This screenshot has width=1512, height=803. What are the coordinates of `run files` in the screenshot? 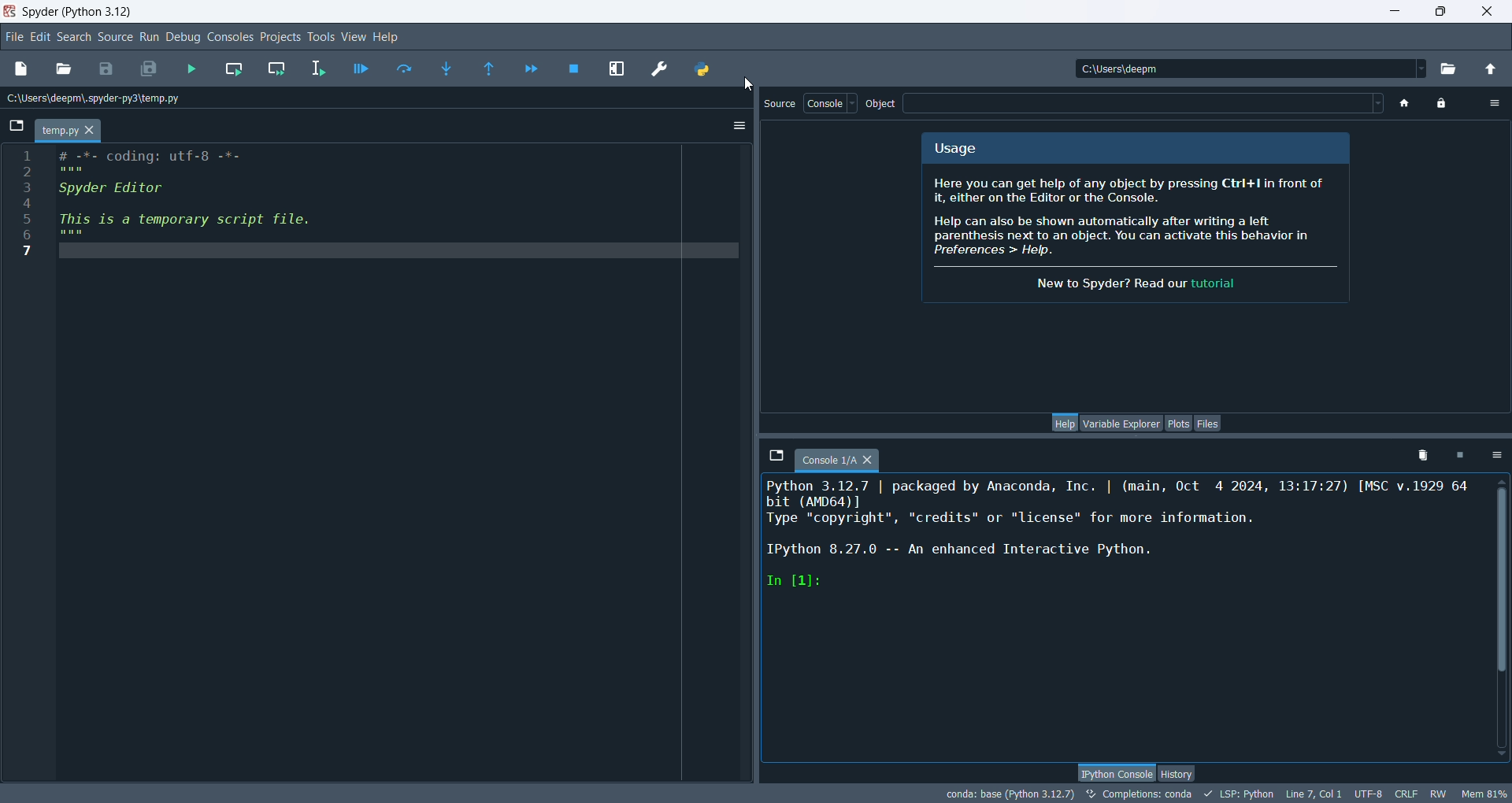 It's located at (195, 71).